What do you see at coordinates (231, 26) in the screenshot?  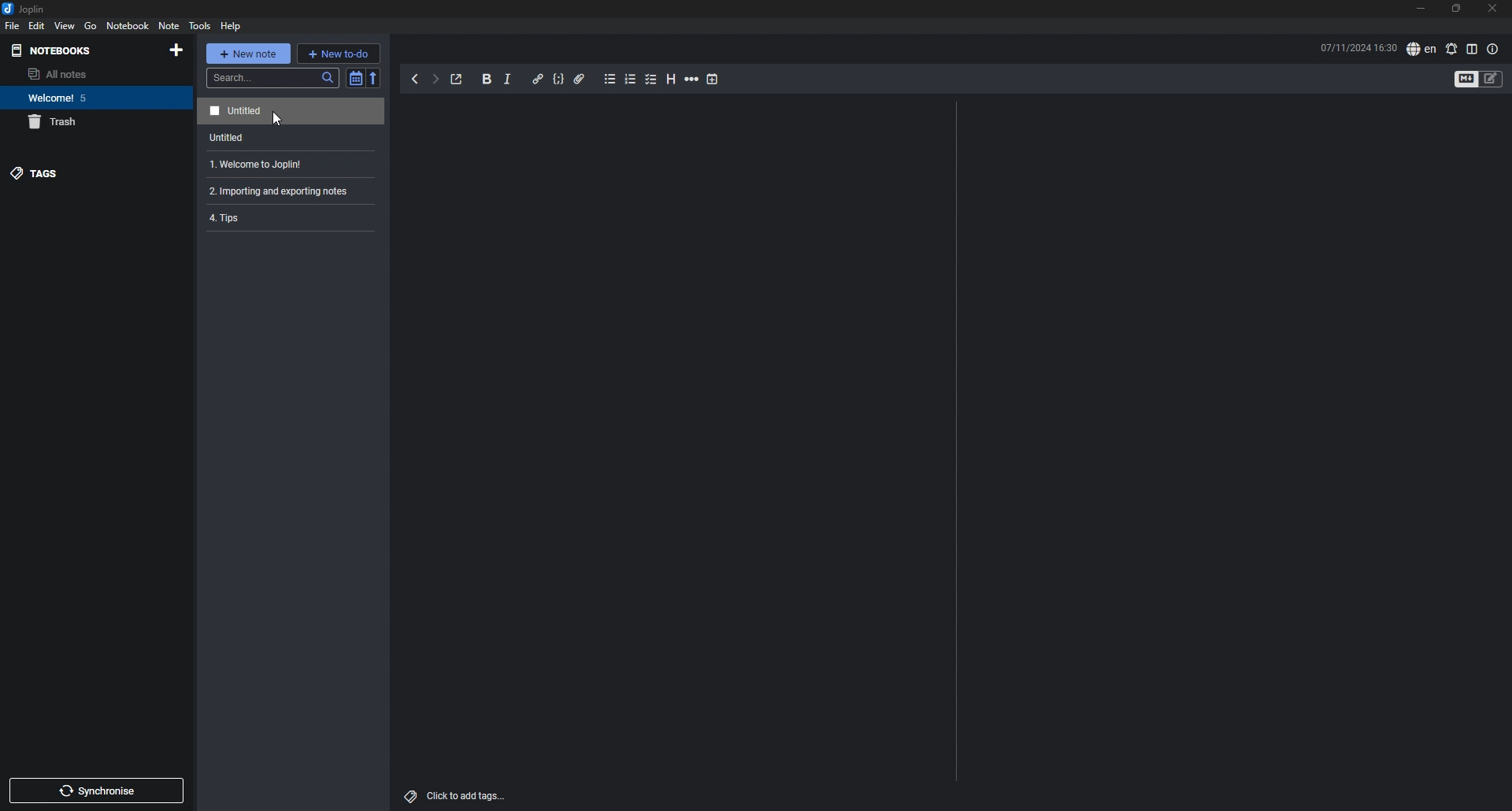 I see `HELP` at bounding box center [231, 26].